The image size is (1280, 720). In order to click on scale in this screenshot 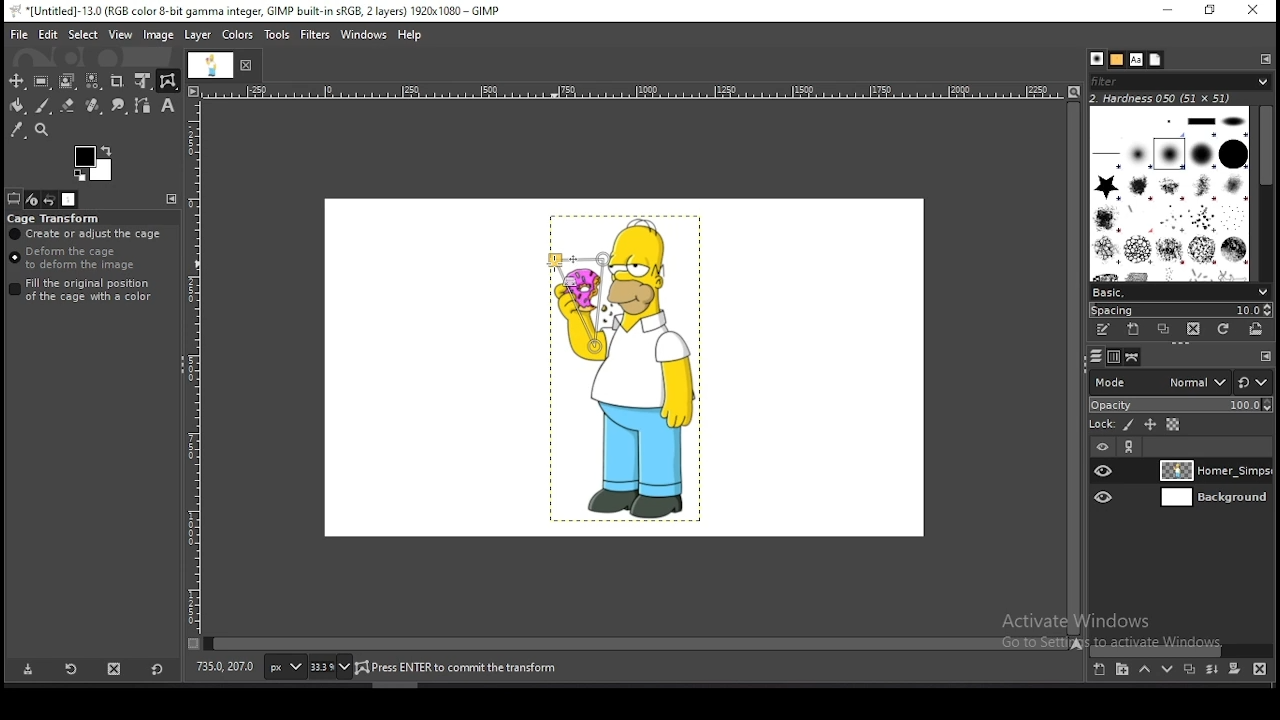, I will do `click(634, 92)`.